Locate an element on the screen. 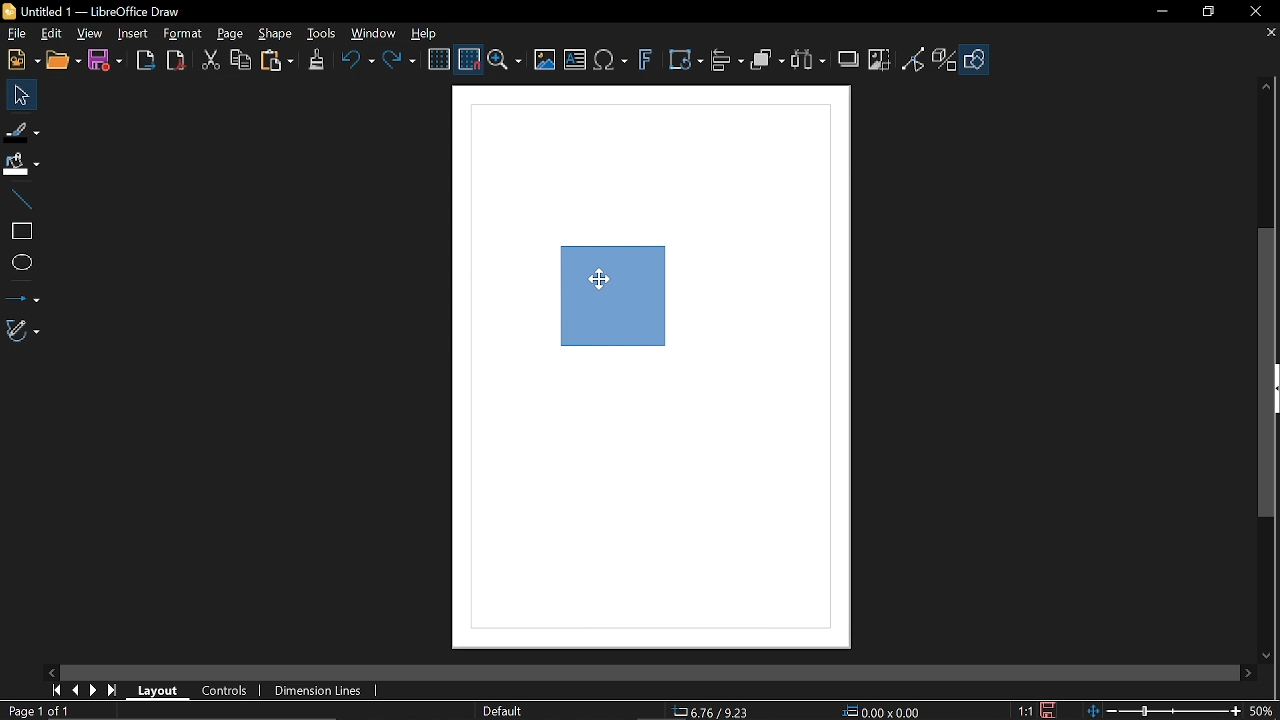  Undo is located at coordinates (354, 62).